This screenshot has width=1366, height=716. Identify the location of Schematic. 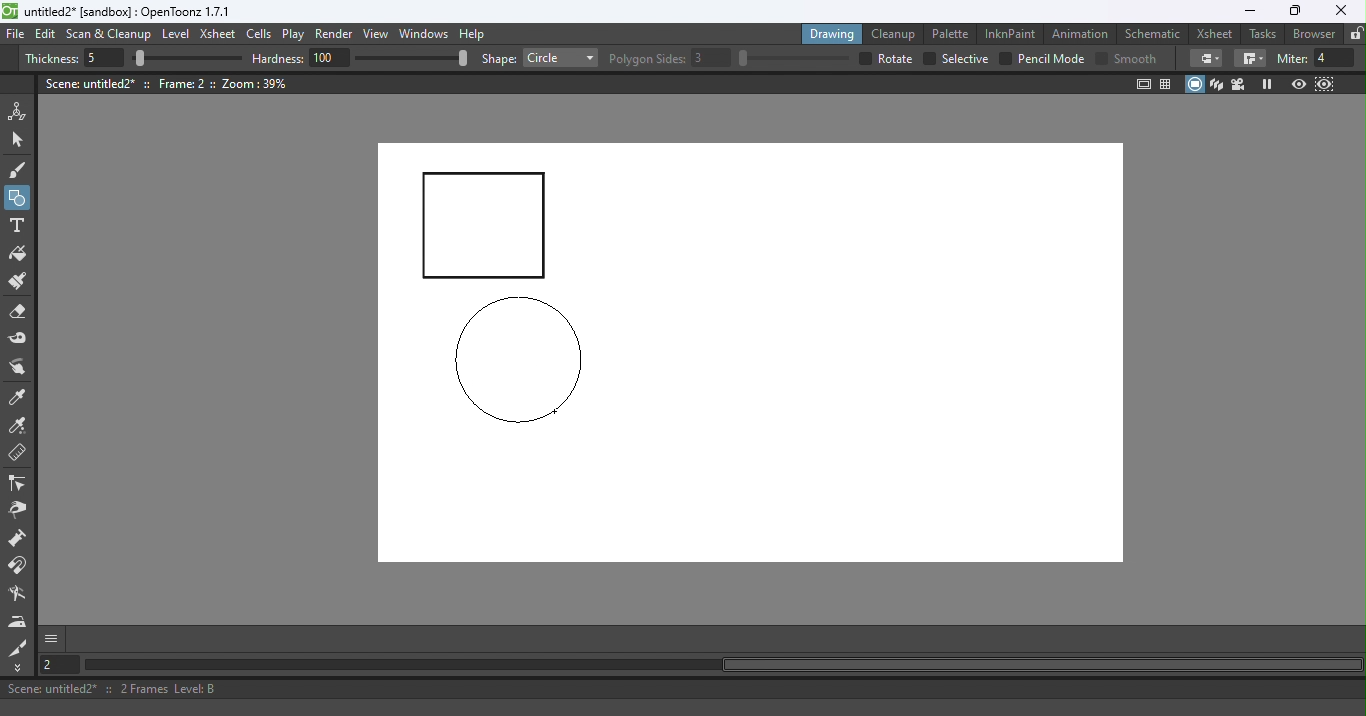
(1153, 34).